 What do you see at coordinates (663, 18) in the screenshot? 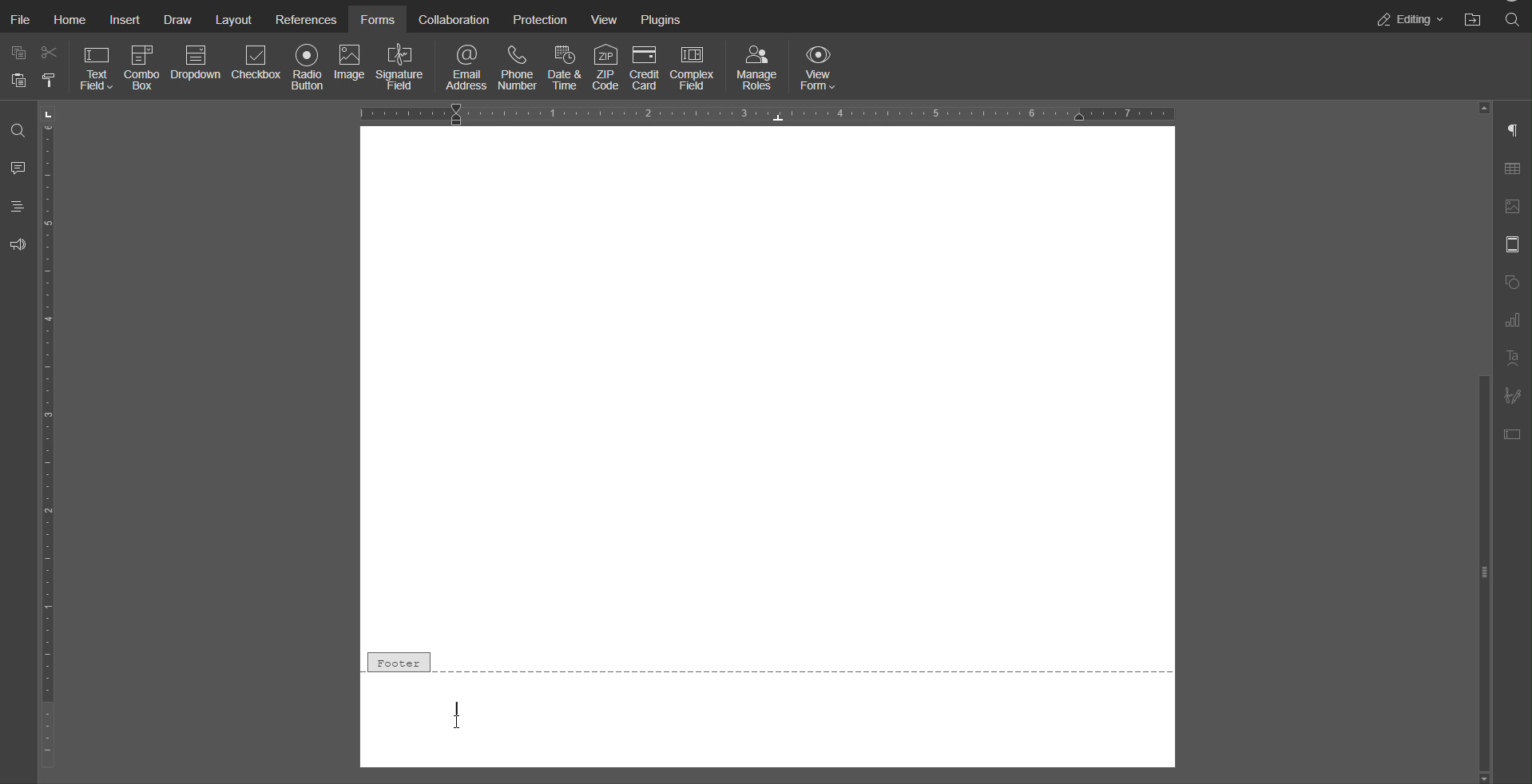
I see `Plugins` at bounding box center [663, 18].